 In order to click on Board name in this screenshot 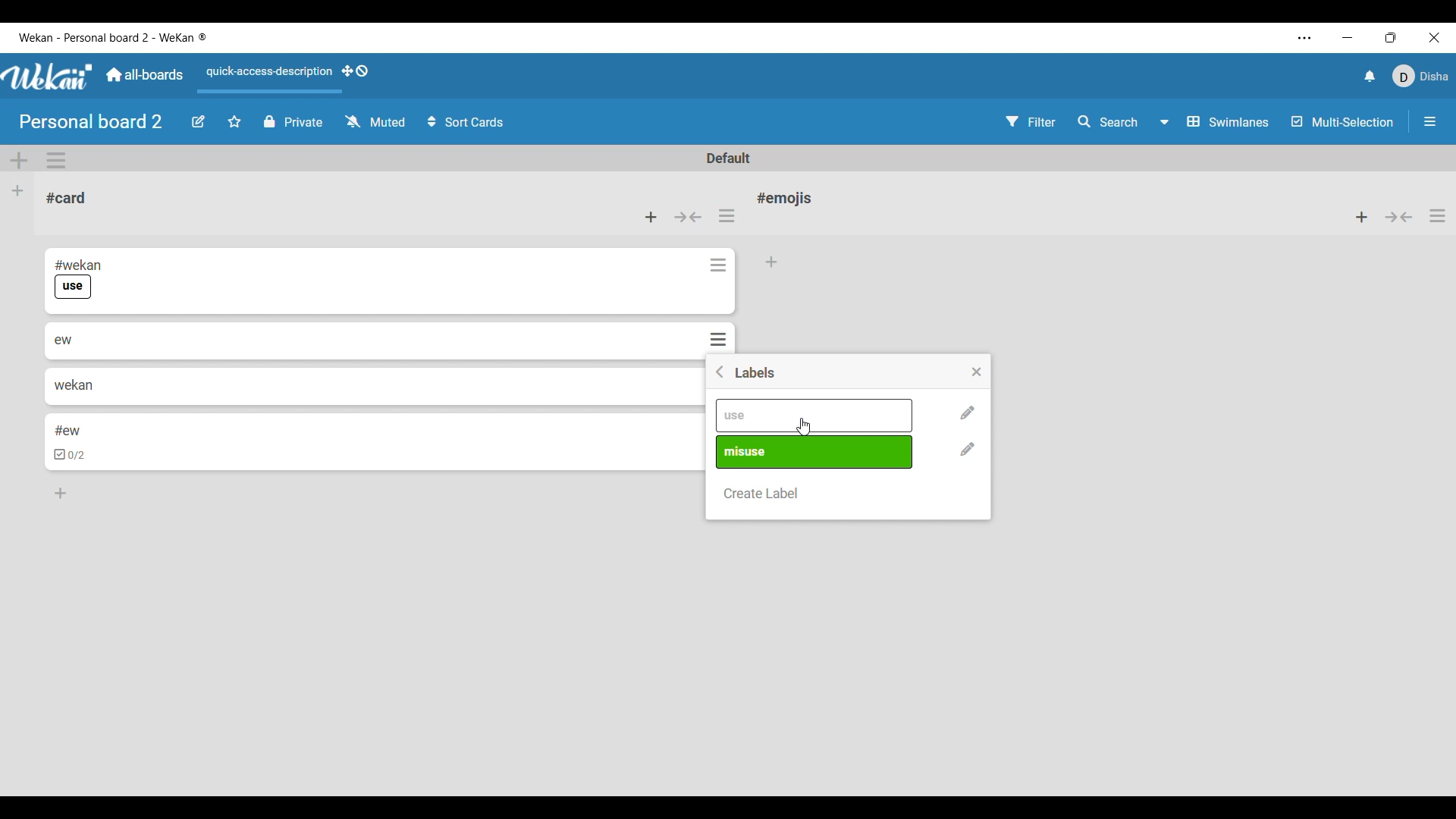, I will do `click(90, 121)`.